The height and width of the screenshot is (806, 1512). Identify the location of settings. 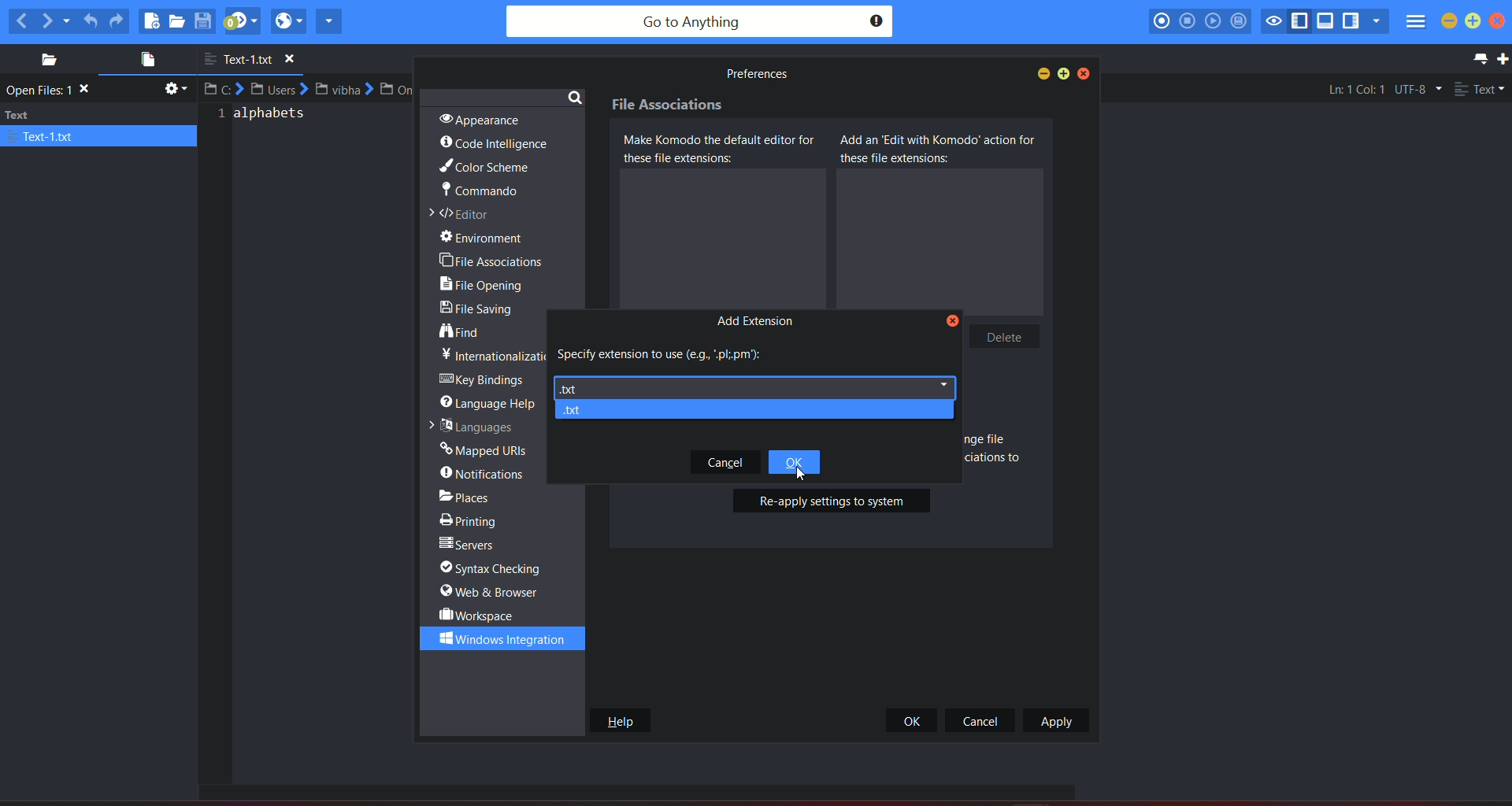
(173, 91).